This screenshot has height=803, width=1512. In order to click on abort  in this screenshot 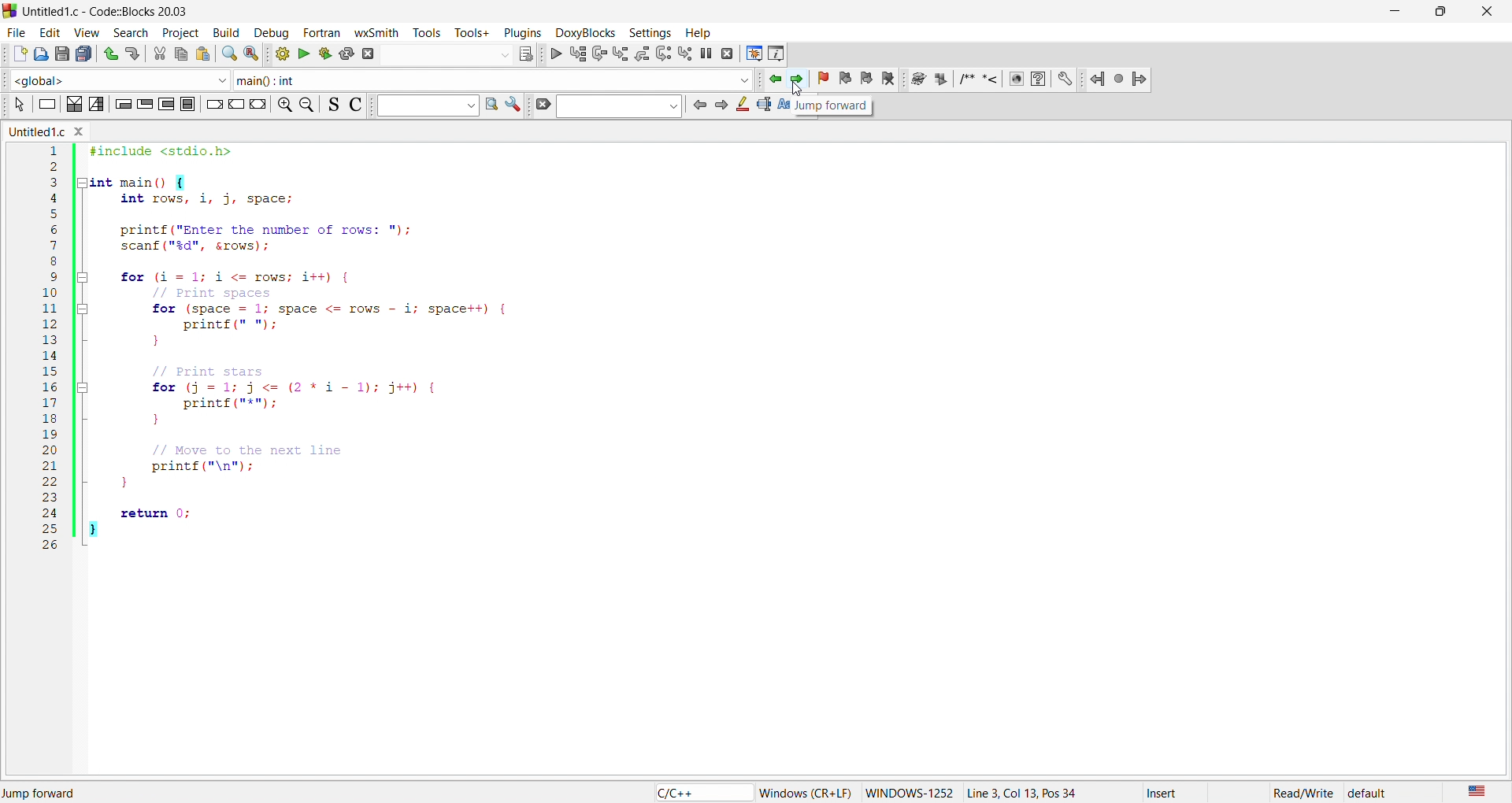, I will do `click(371, 54)`.